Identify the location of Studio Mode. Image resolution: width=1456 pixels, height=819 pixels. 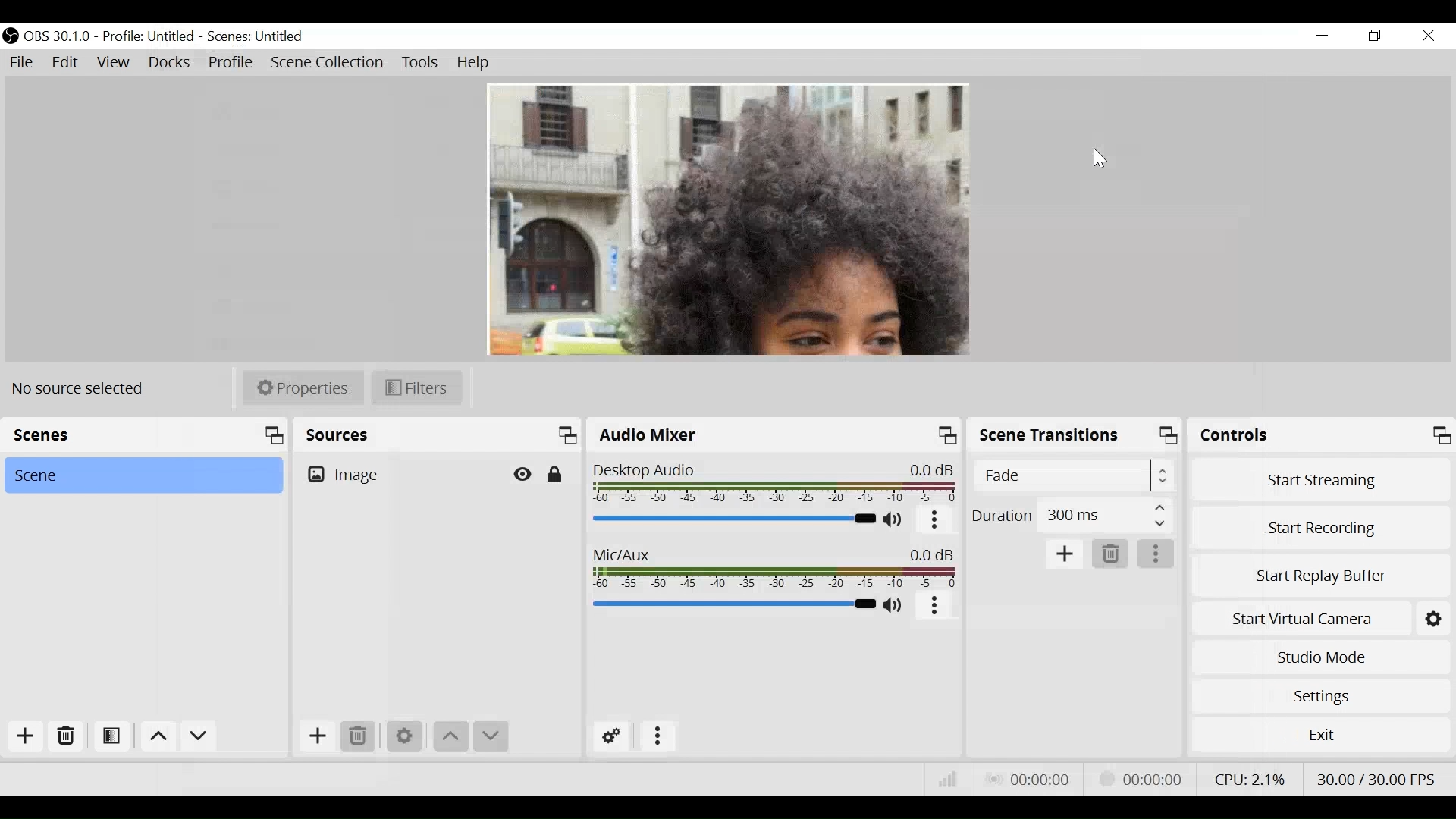
(1322, 657).